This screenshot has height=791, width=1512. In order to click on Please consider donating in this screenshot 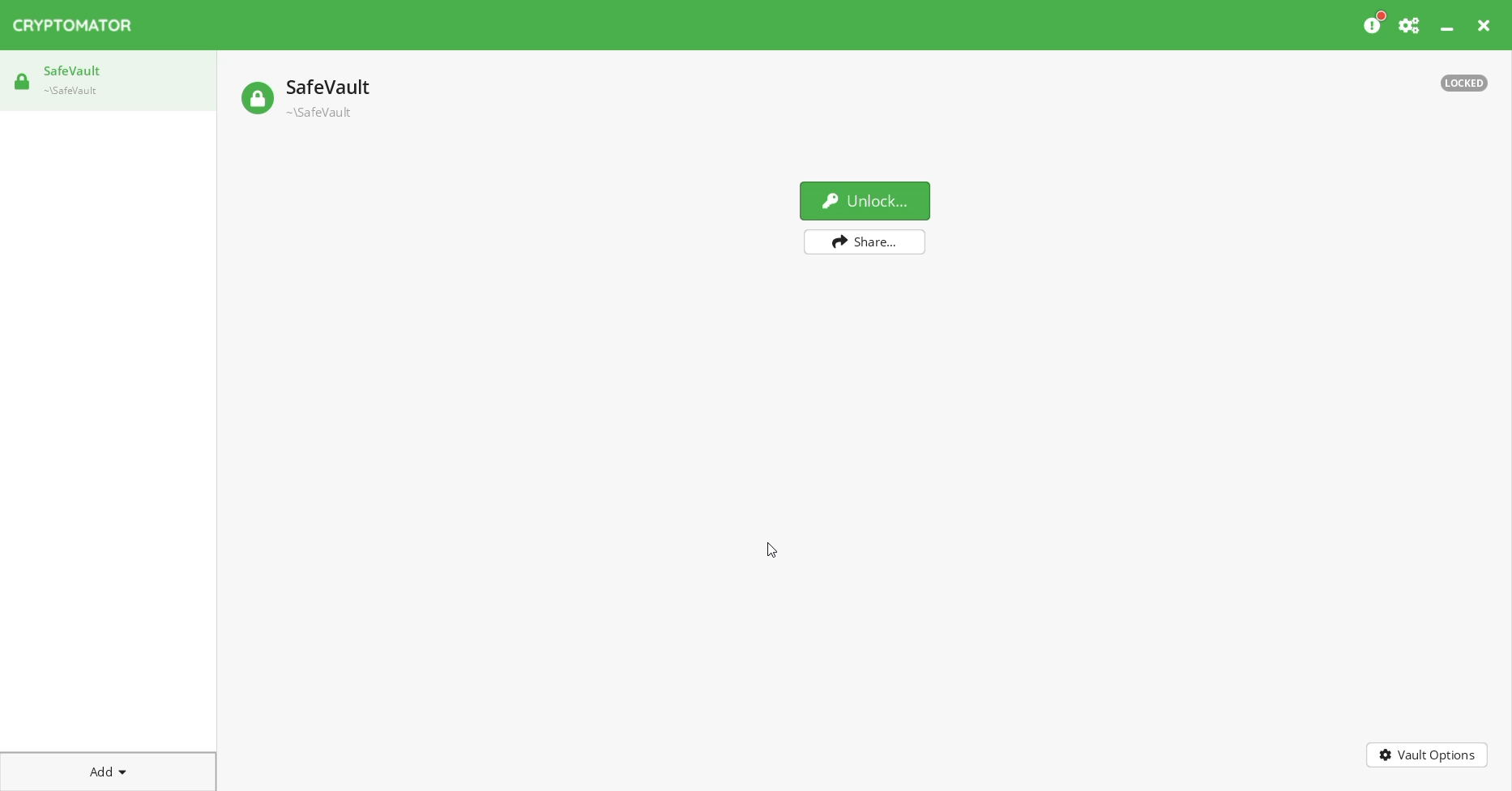, I will do `click(1375, 24)`.